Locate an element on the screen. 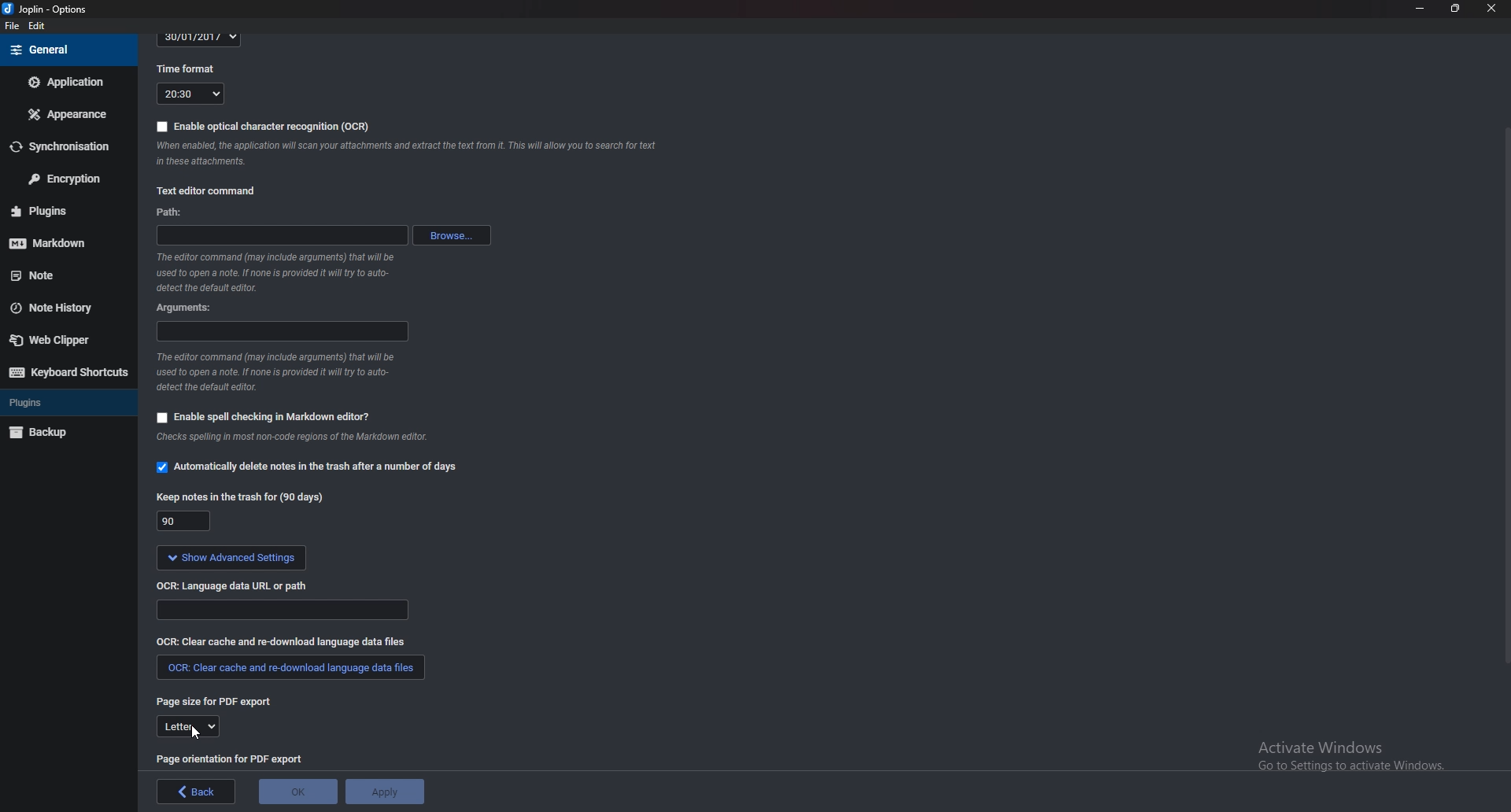 This screenshot has height=812, width=1511. path is located at coordinates (185, 214).